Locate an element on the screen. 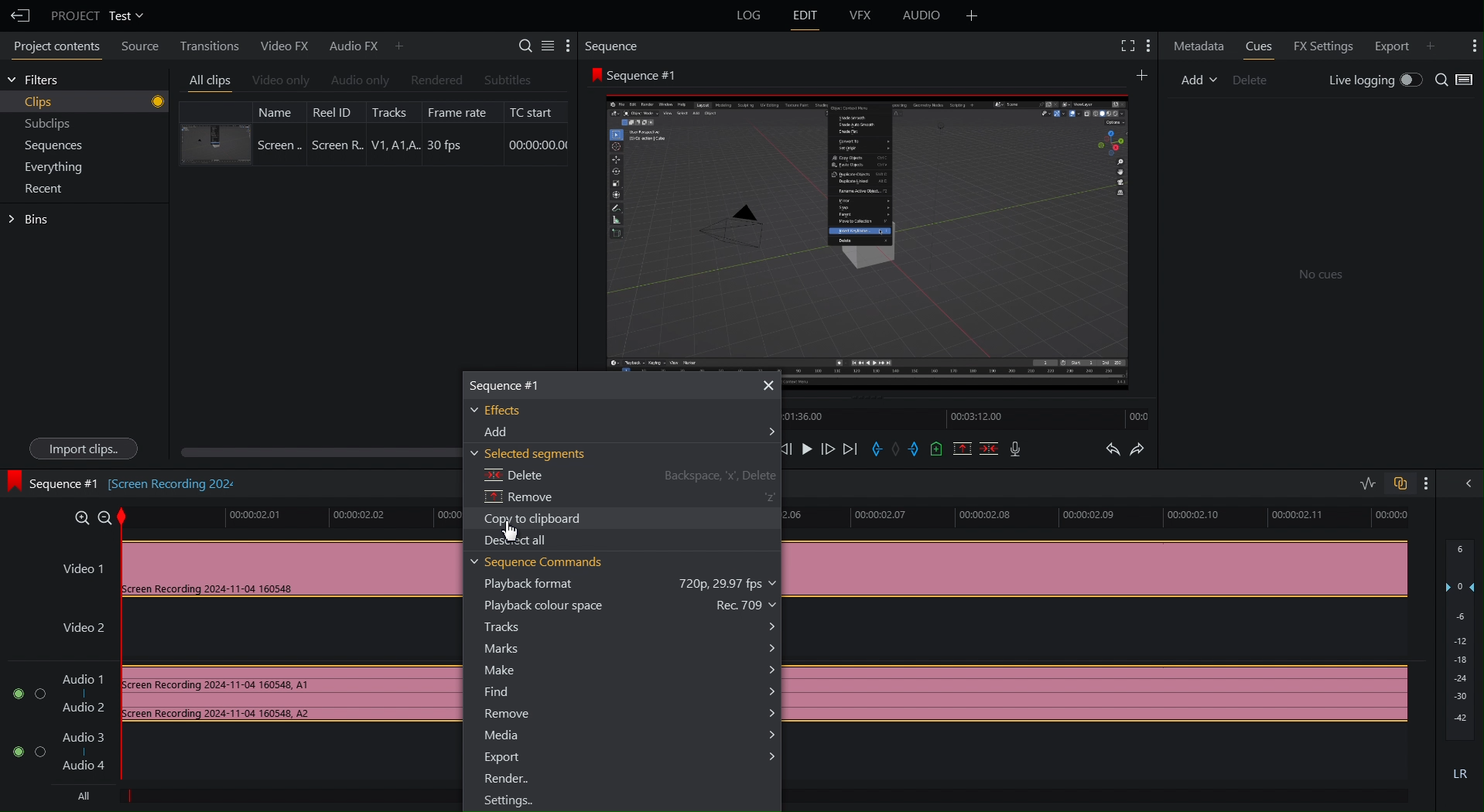  Cursor is located at coordinates (511, 529).